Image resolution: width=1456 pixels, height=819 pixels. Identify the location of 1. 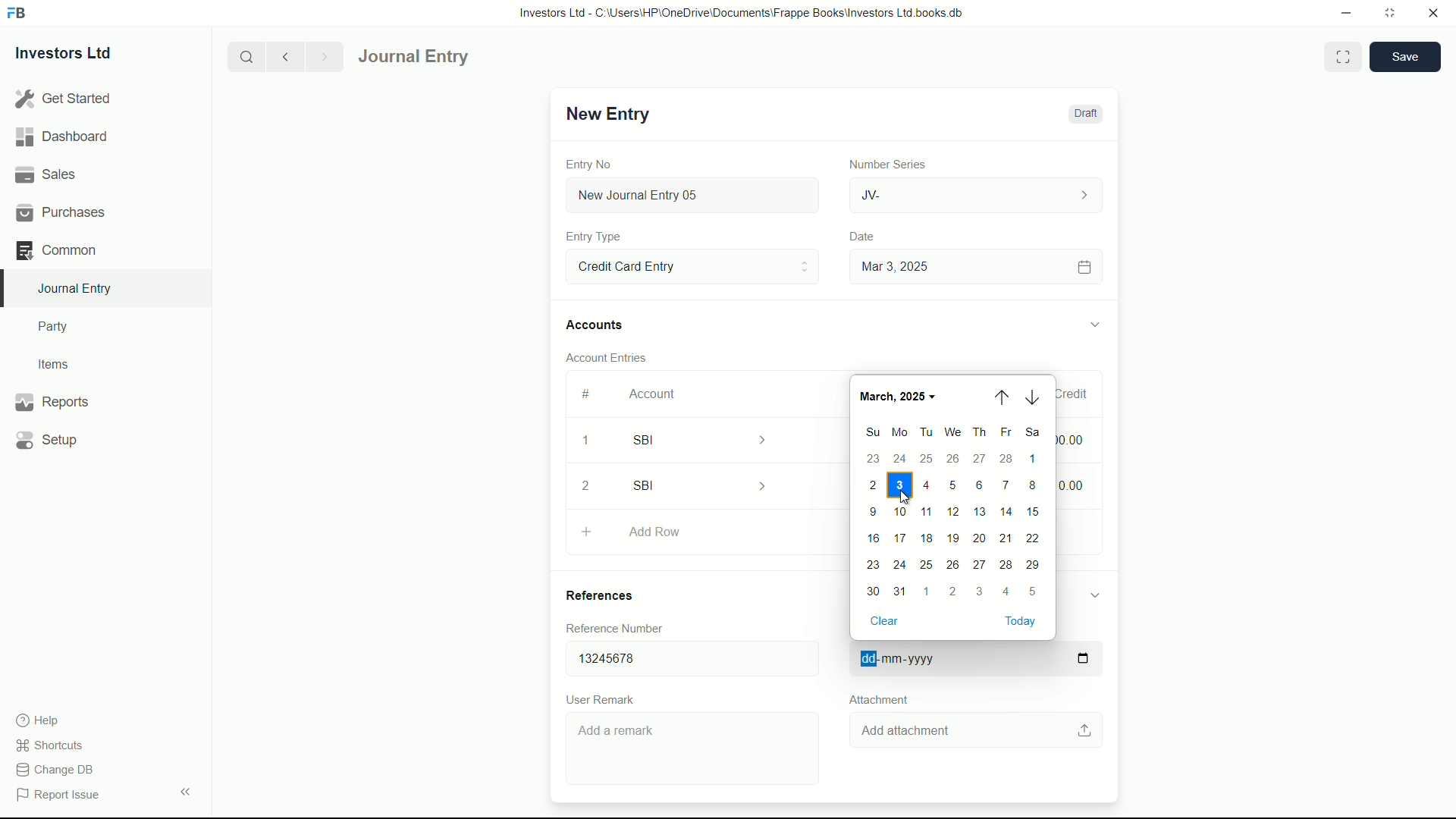
(585, 443).